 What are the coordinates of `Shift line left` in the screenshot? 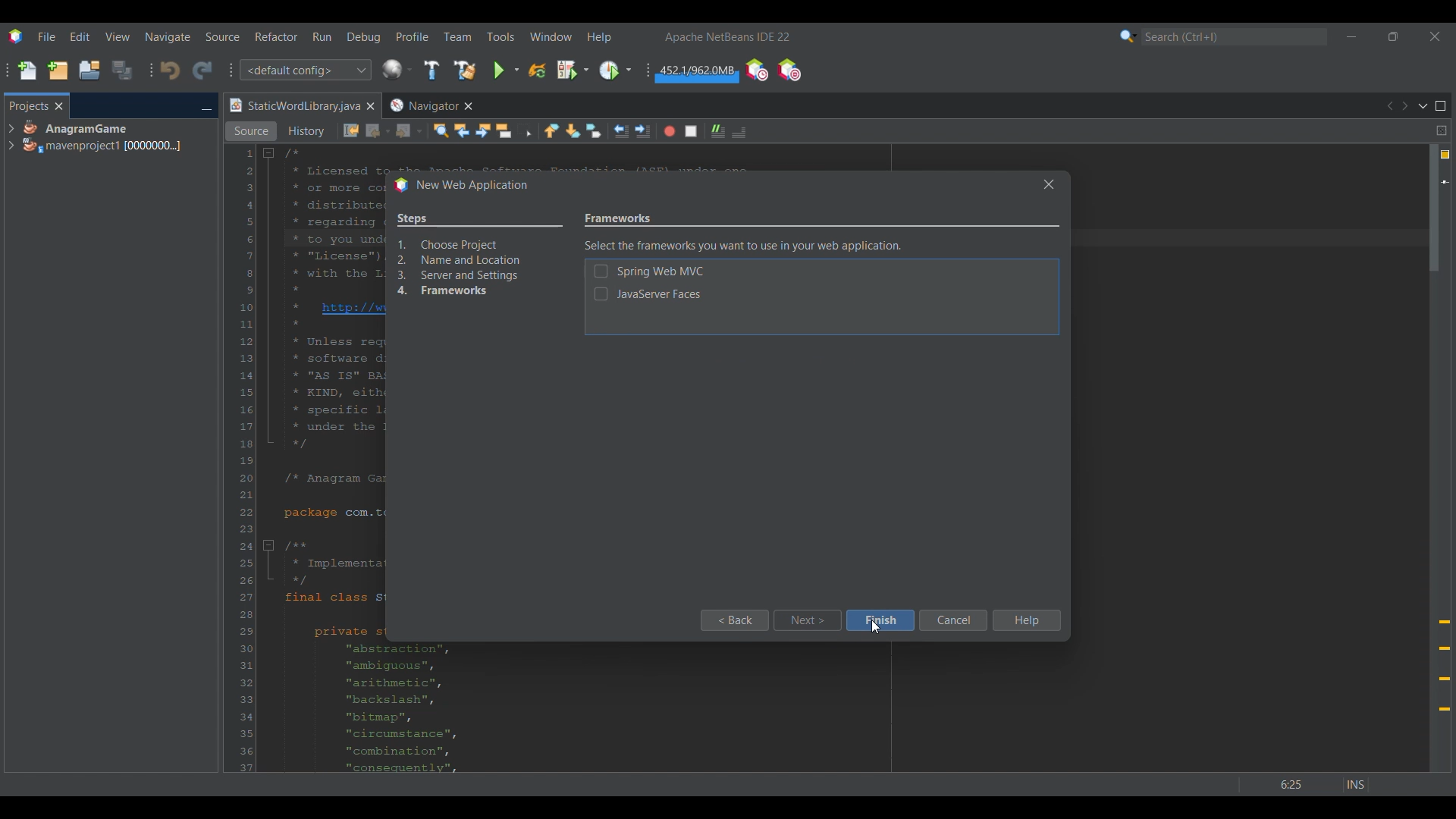 It's located at (621, 131).